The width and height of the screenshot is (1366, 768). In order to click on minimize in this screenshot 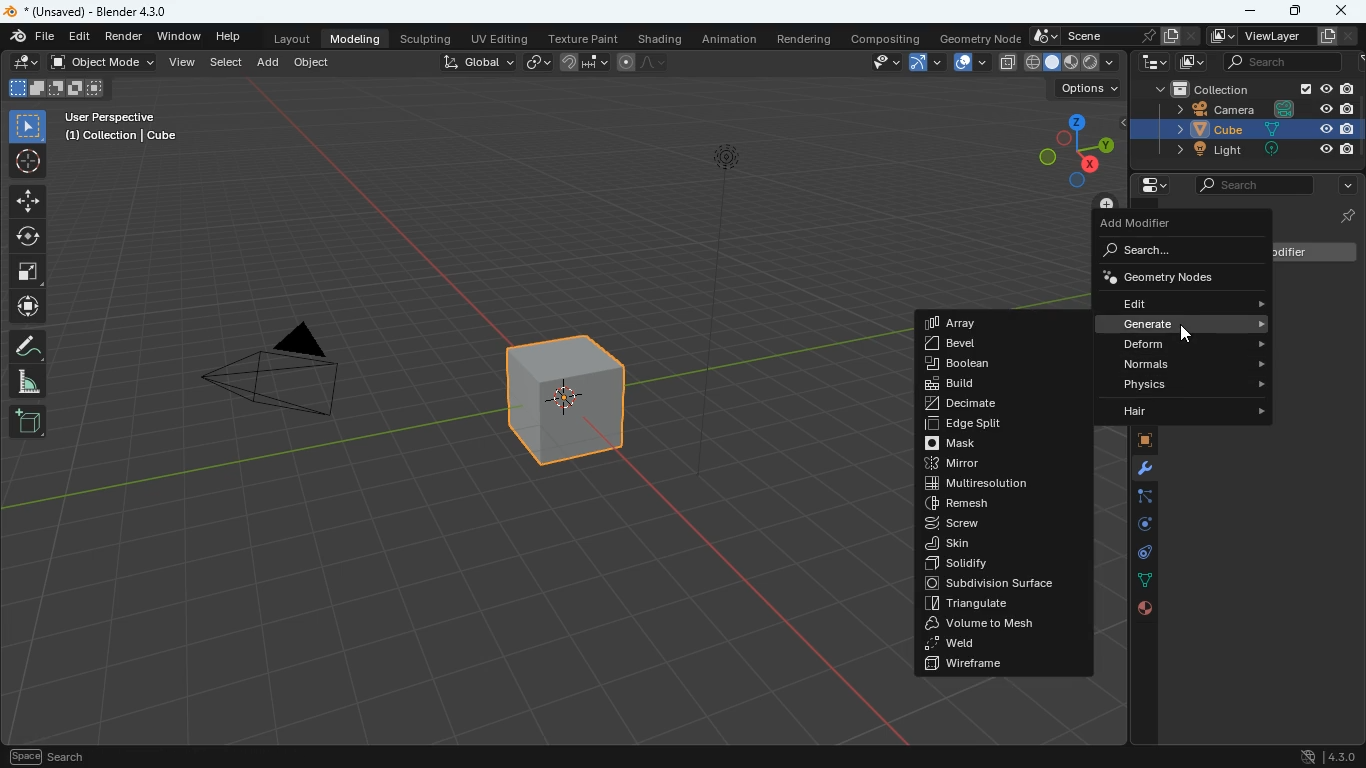, I will do `click(1251, 12)`.